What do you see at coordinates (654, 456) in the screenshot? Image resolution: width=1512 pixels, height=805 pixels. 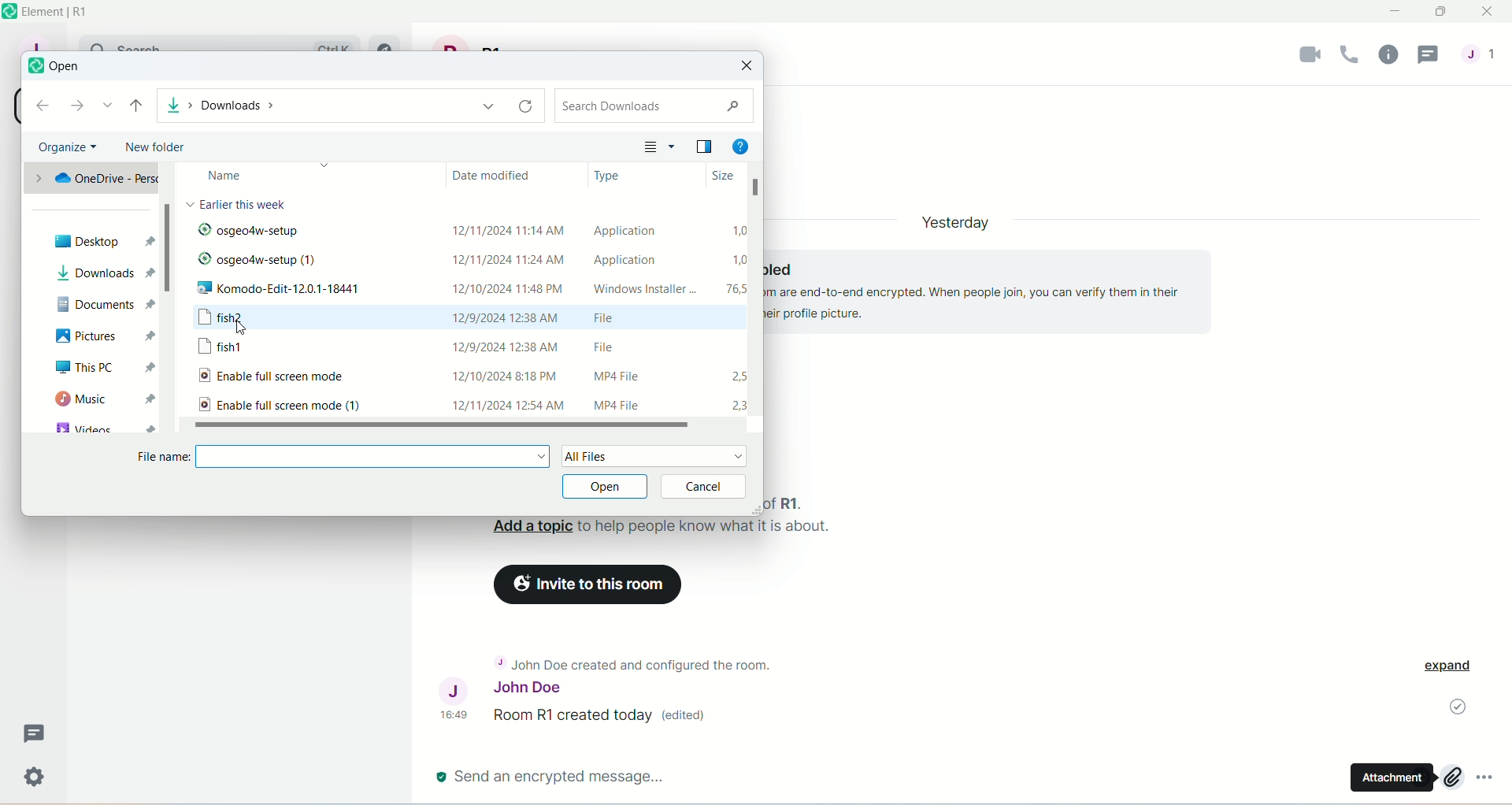 I see `all files` at bounding box center [654, 456].